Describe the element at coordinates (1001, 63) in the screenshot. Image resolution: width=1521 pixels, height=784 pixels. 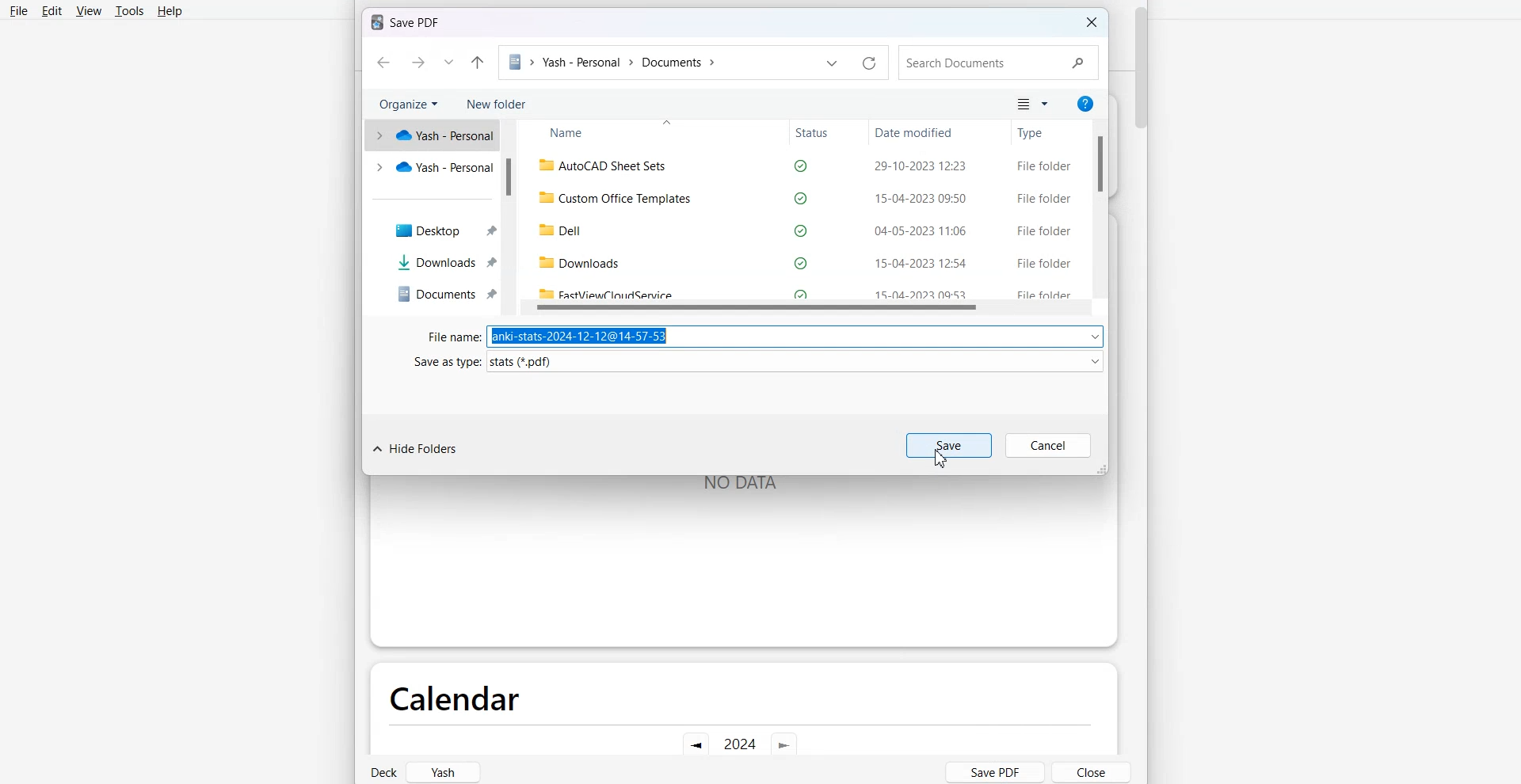
I see `Search document` at that location.